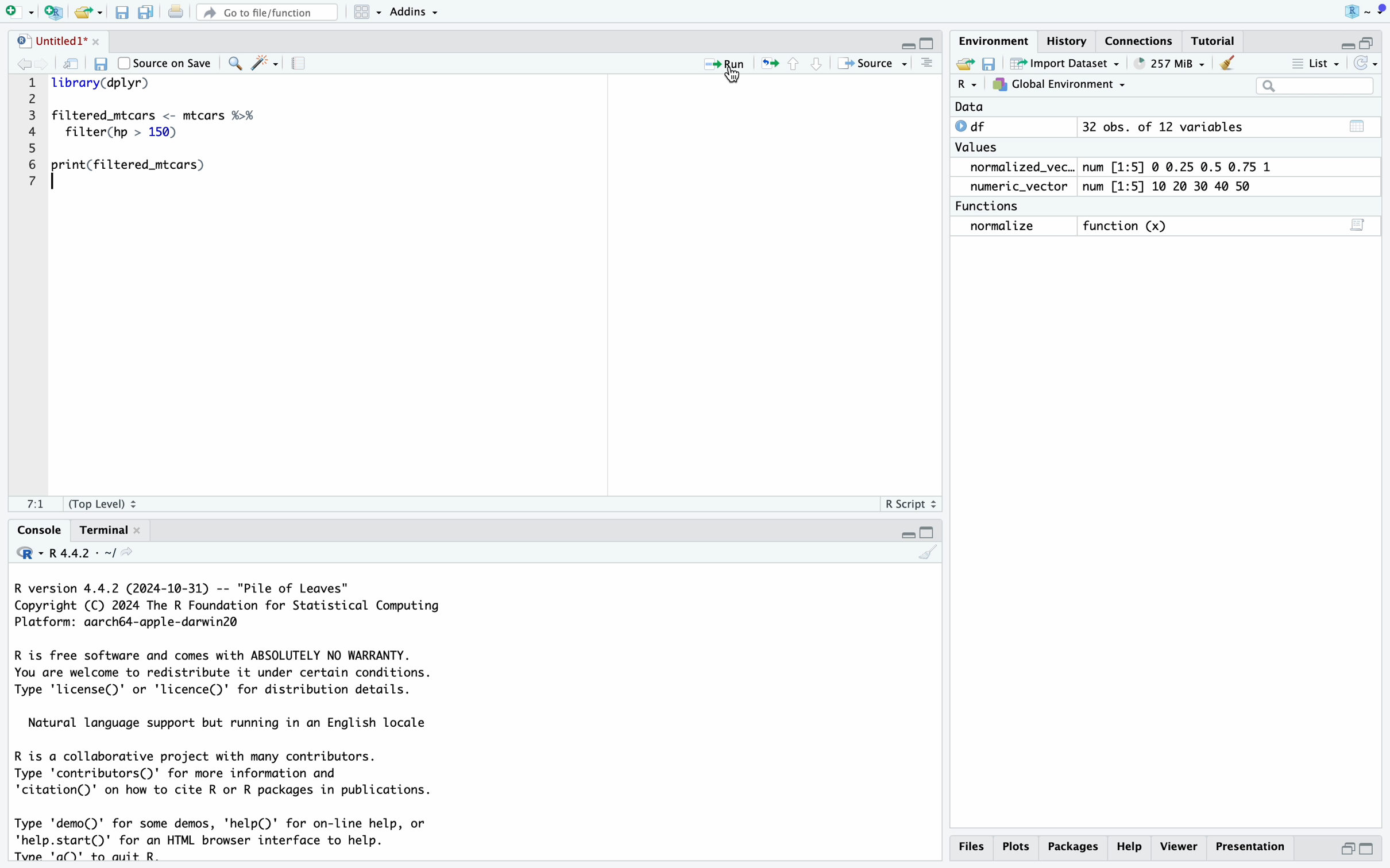  I want to click on 1:1, so click(38, 505).